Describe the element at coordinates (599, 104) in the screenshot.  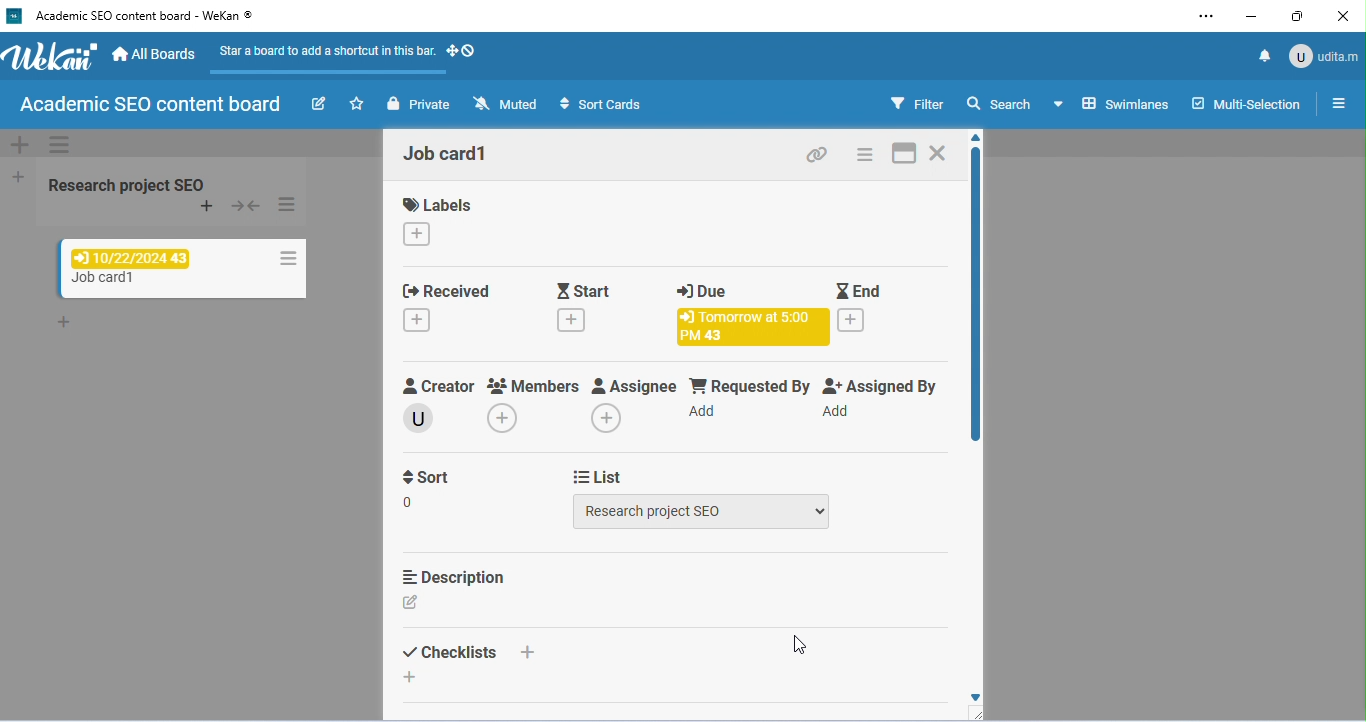
I see `sort cards` at that location.